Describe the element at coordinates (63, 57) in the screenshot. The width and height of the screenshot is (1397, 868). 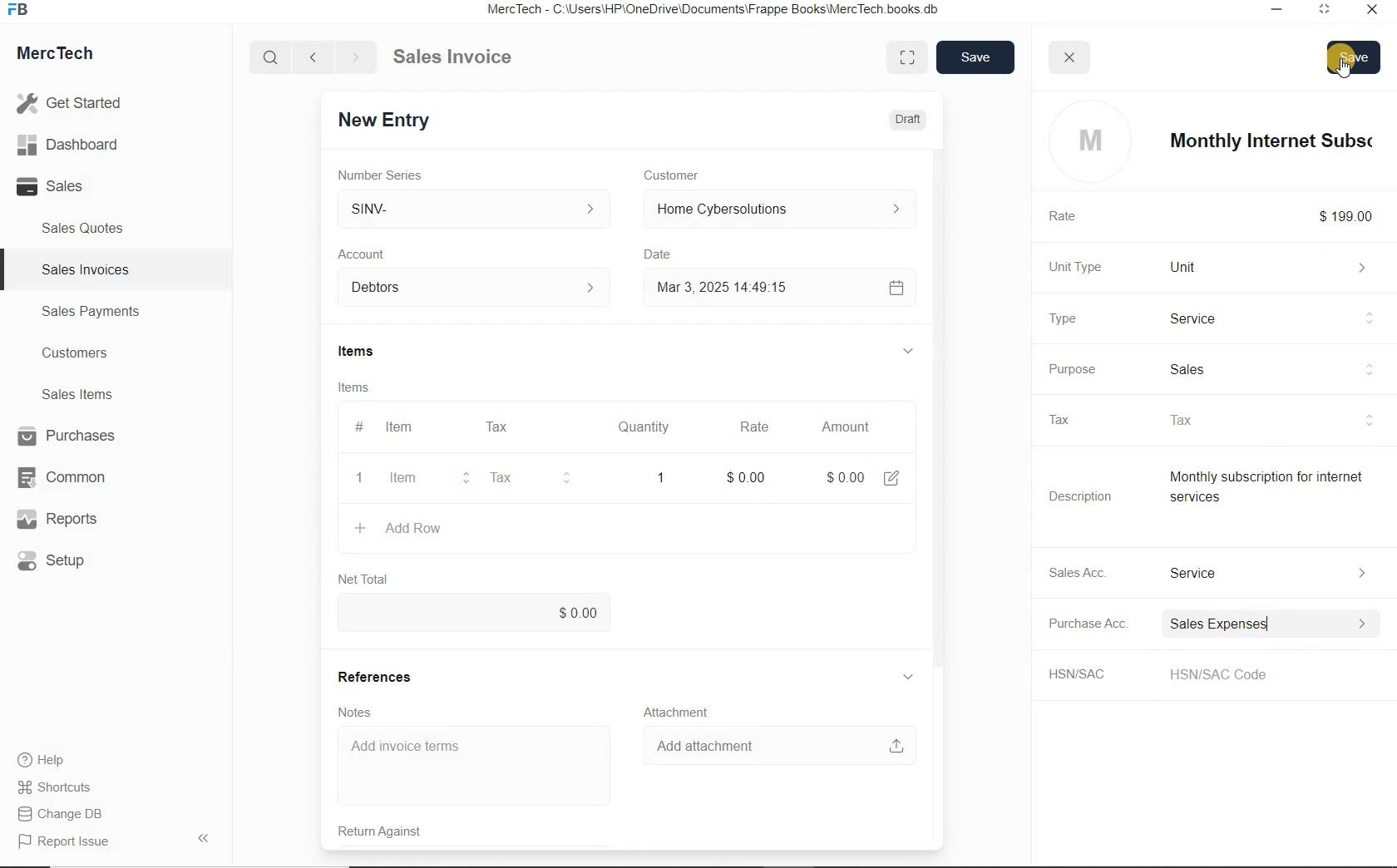
I see `MercTech` at that location.